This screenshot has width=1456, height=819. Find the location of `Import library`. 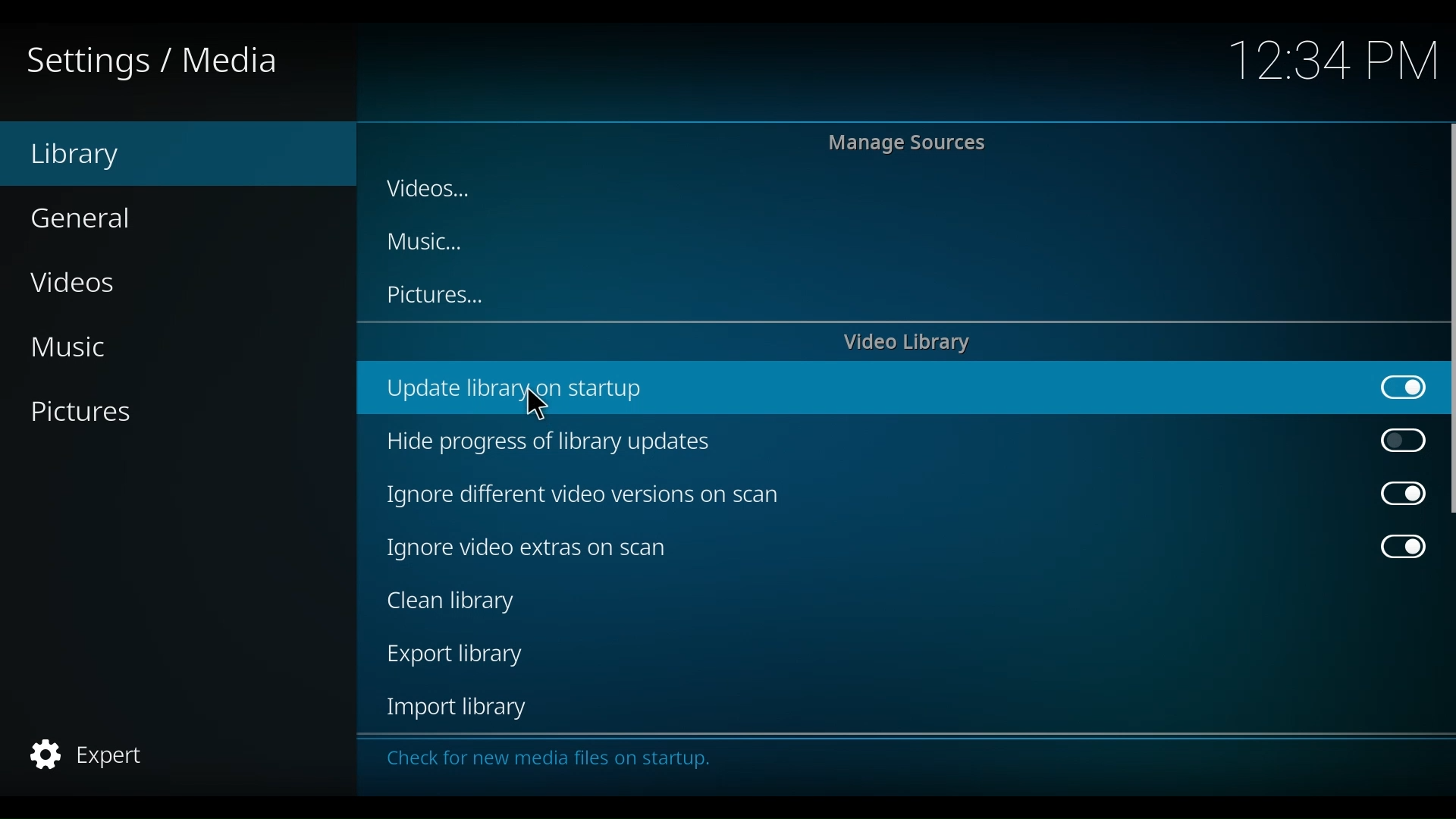

Import library is located at coordinates (466, 708).